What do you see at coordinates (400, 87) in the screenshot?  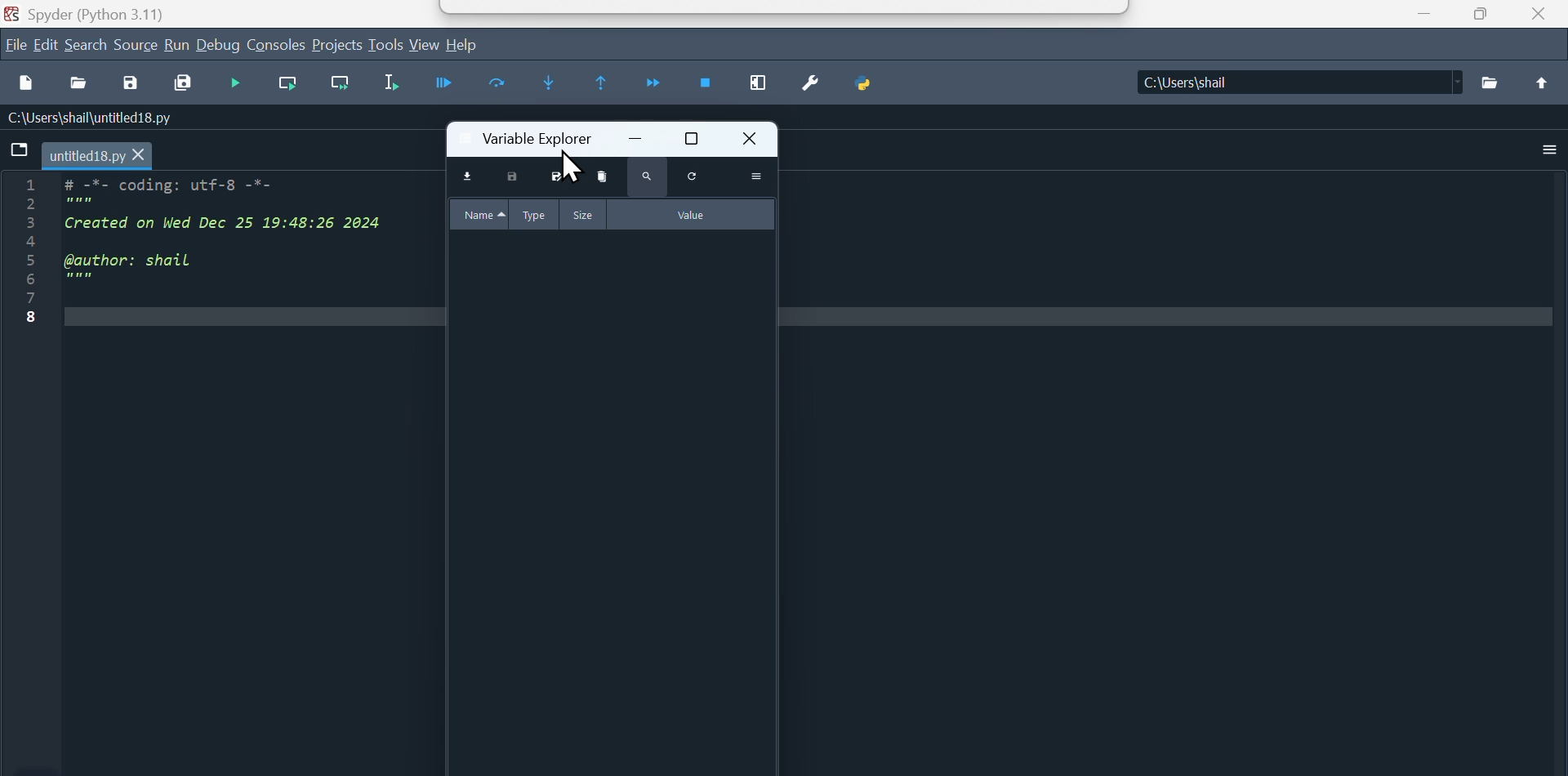 I see `Run Selection` at bounding box center [400, 87].